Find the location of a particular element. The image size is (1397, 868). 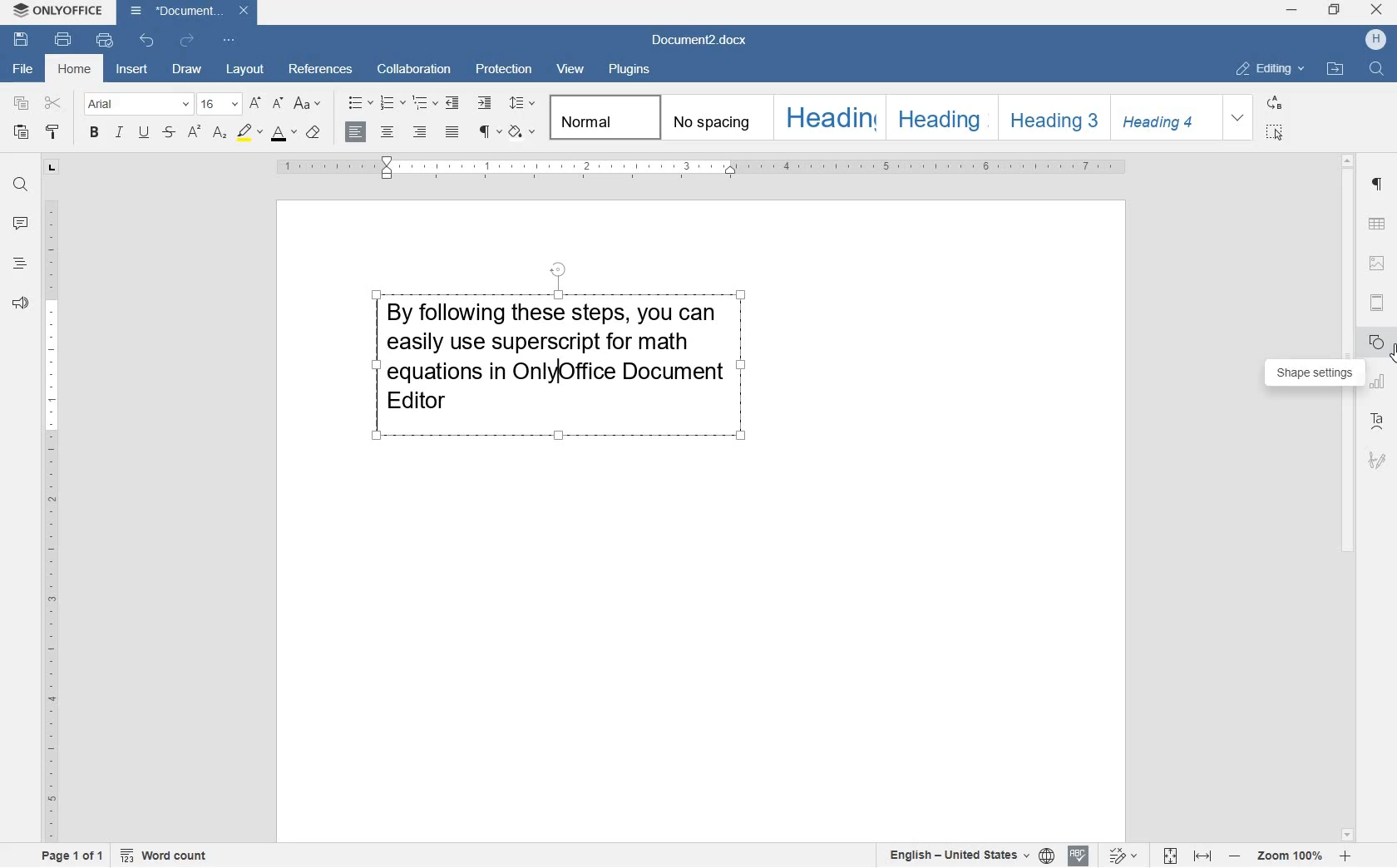

zoom in or zoom out is located at coordinates (1288, 855).